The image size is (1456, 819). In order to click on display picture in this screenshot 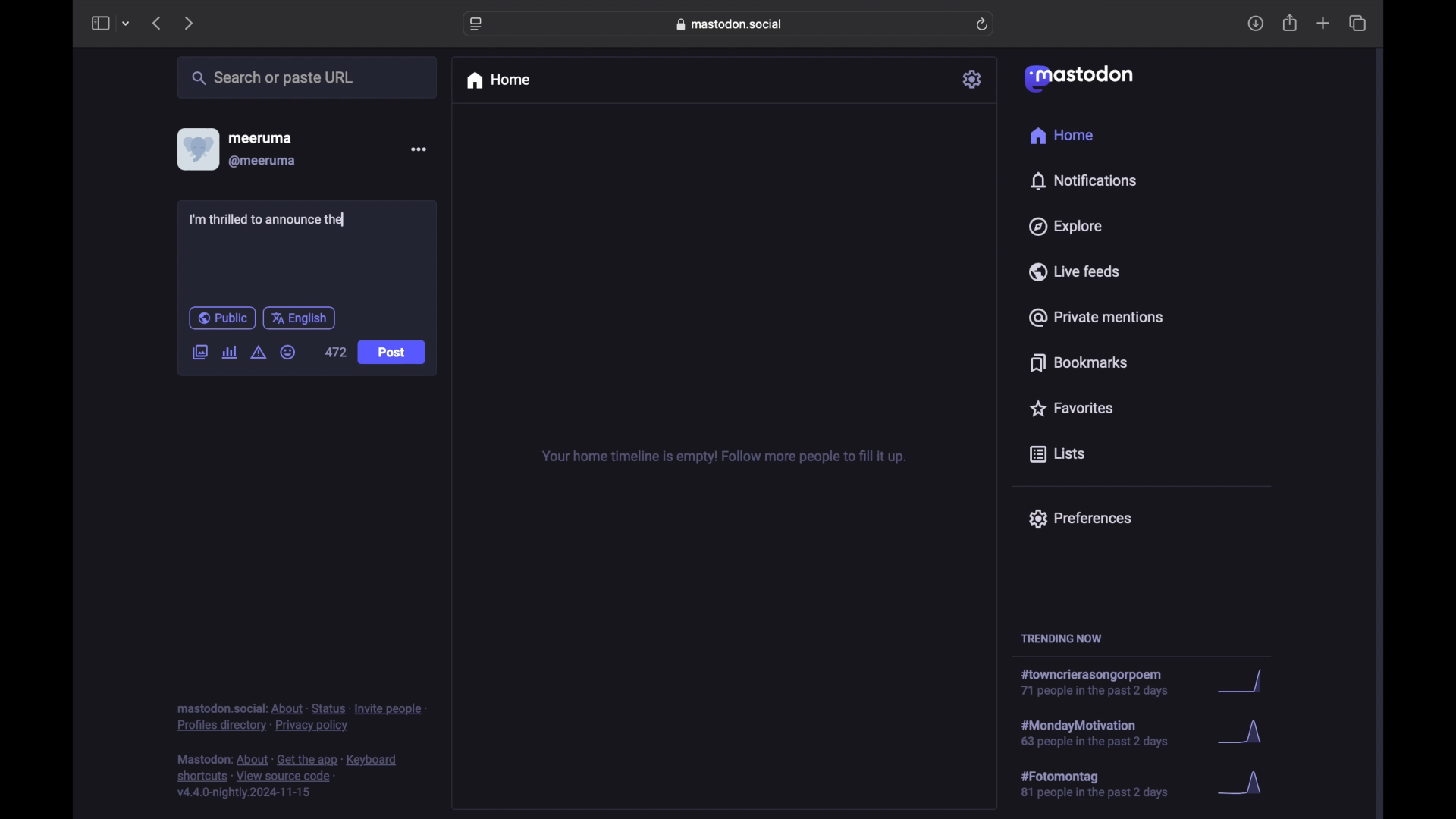, I will do `click(196, 149)`.